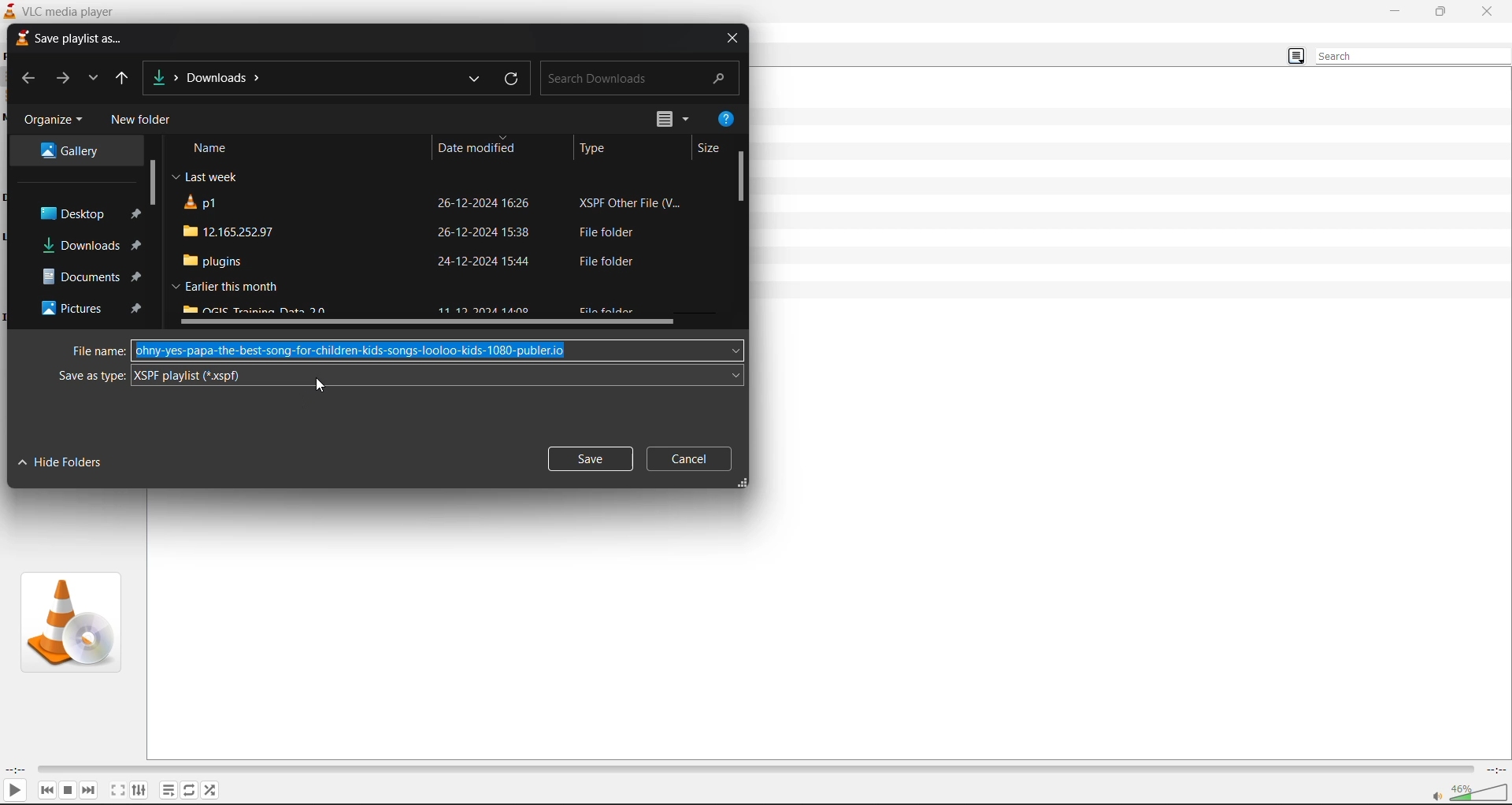  Describe the element at coordinates (222, 287) in the screenshot. I see `Earlier this month` at that location.